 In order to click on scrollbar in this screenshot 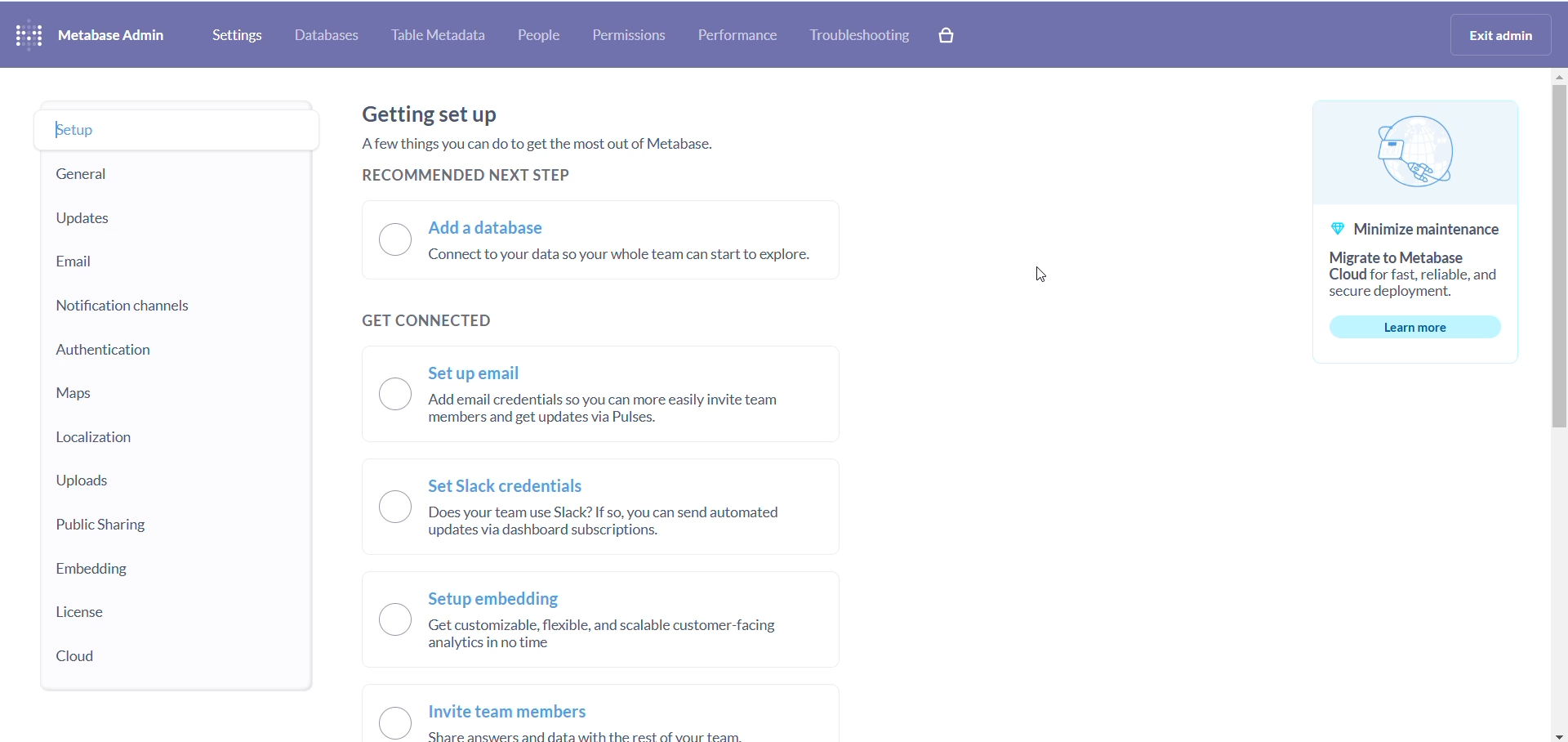, I will do `click(1558, 256)`.